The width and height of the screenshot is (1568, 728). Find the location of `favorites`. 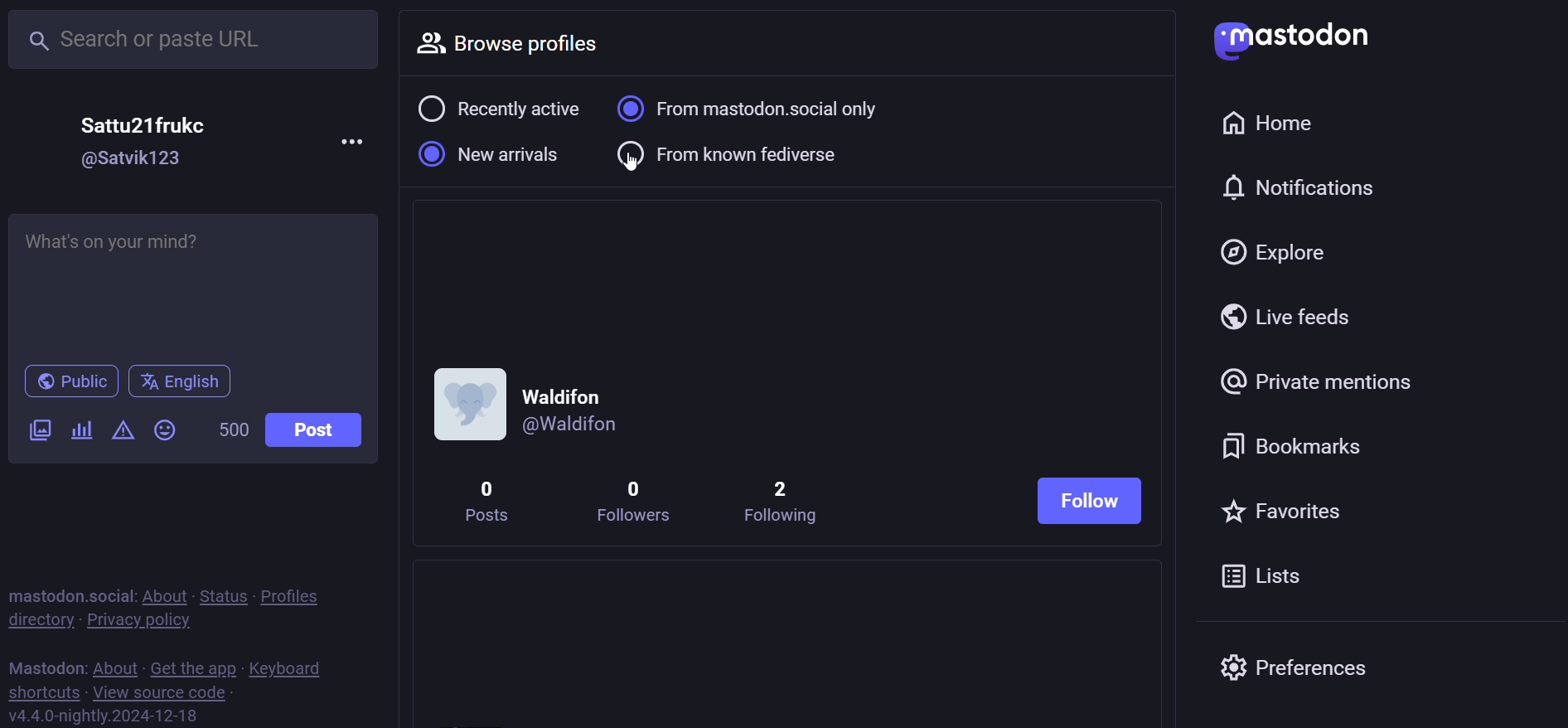

favorites is located at coordinates (1299, 507).